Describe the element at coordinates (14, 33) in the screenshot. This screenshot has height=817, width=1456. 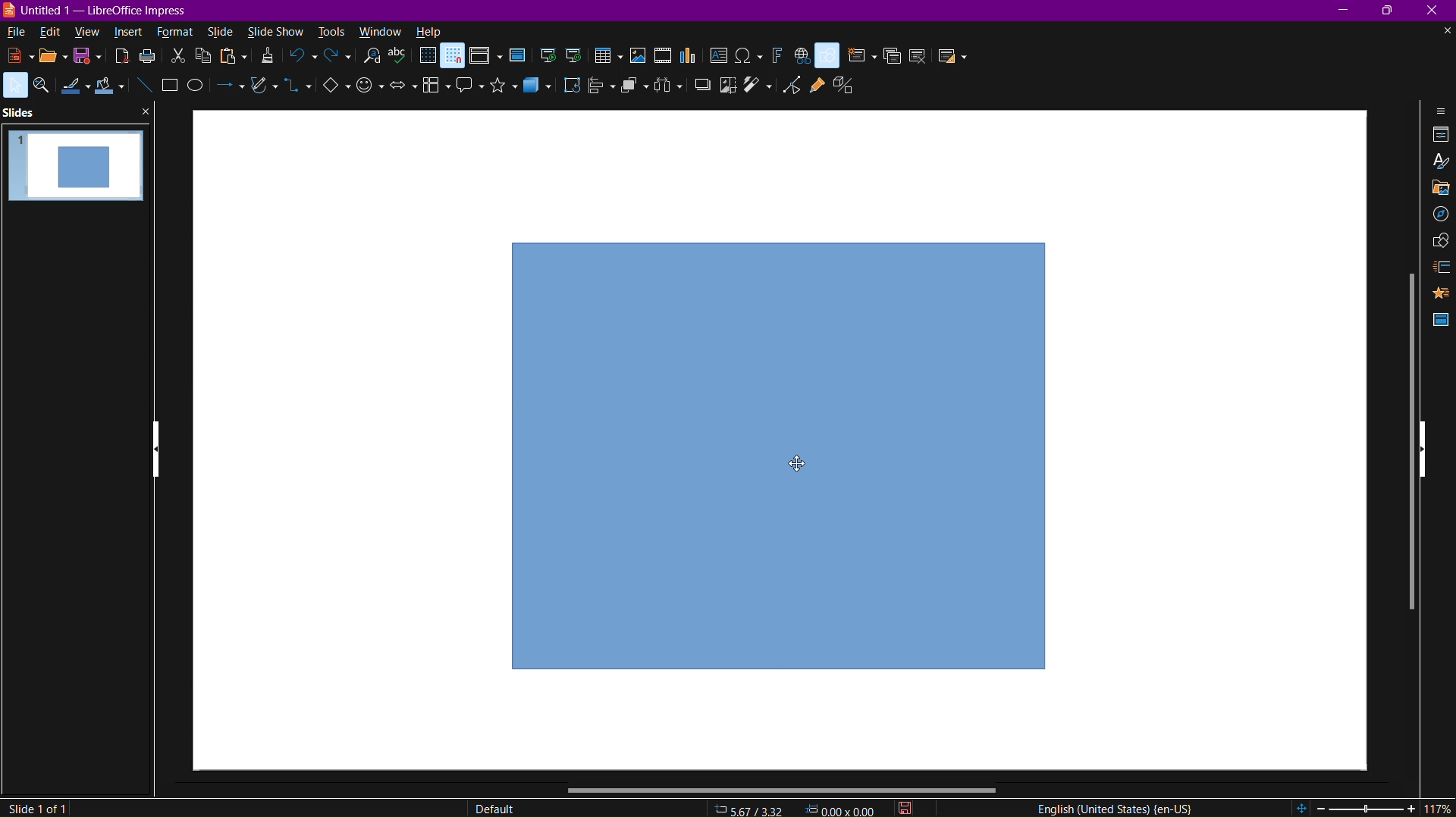
I see `file` at that location.